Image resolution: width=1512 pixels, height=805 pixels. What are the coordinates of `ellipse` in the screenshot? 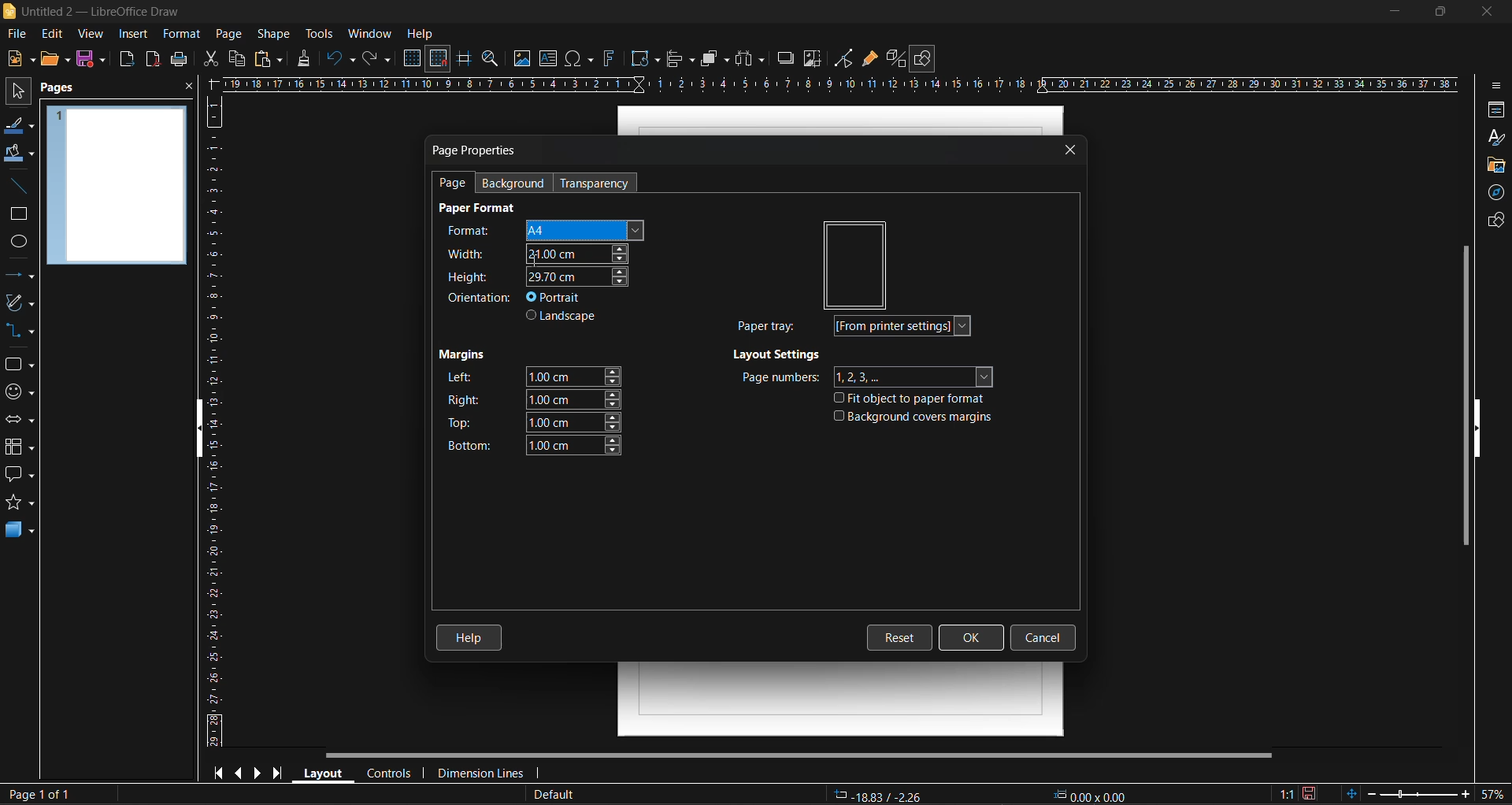 It's located at (19, 244).